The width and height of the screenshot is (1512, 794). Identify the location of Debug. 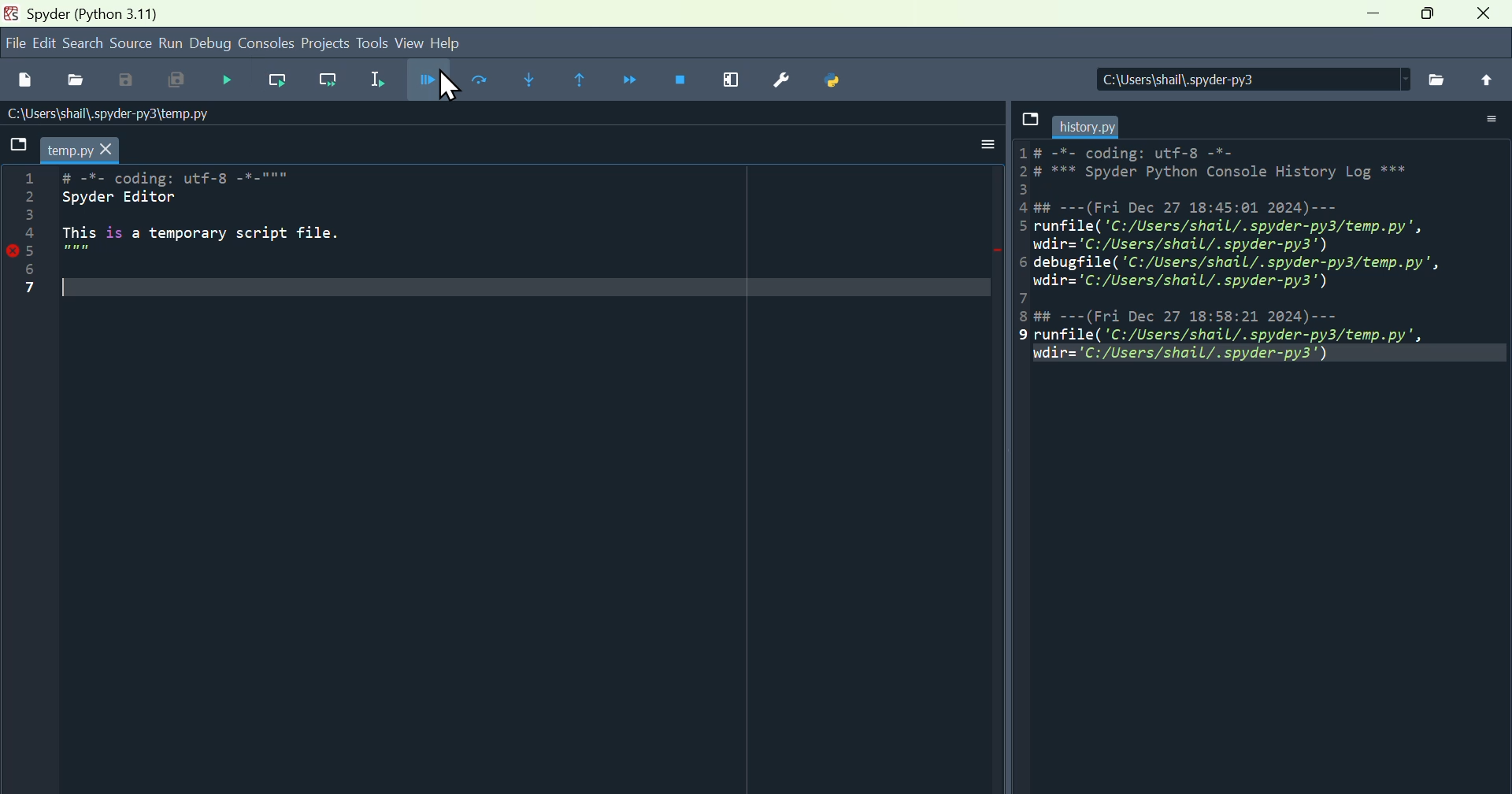
(432, 79).